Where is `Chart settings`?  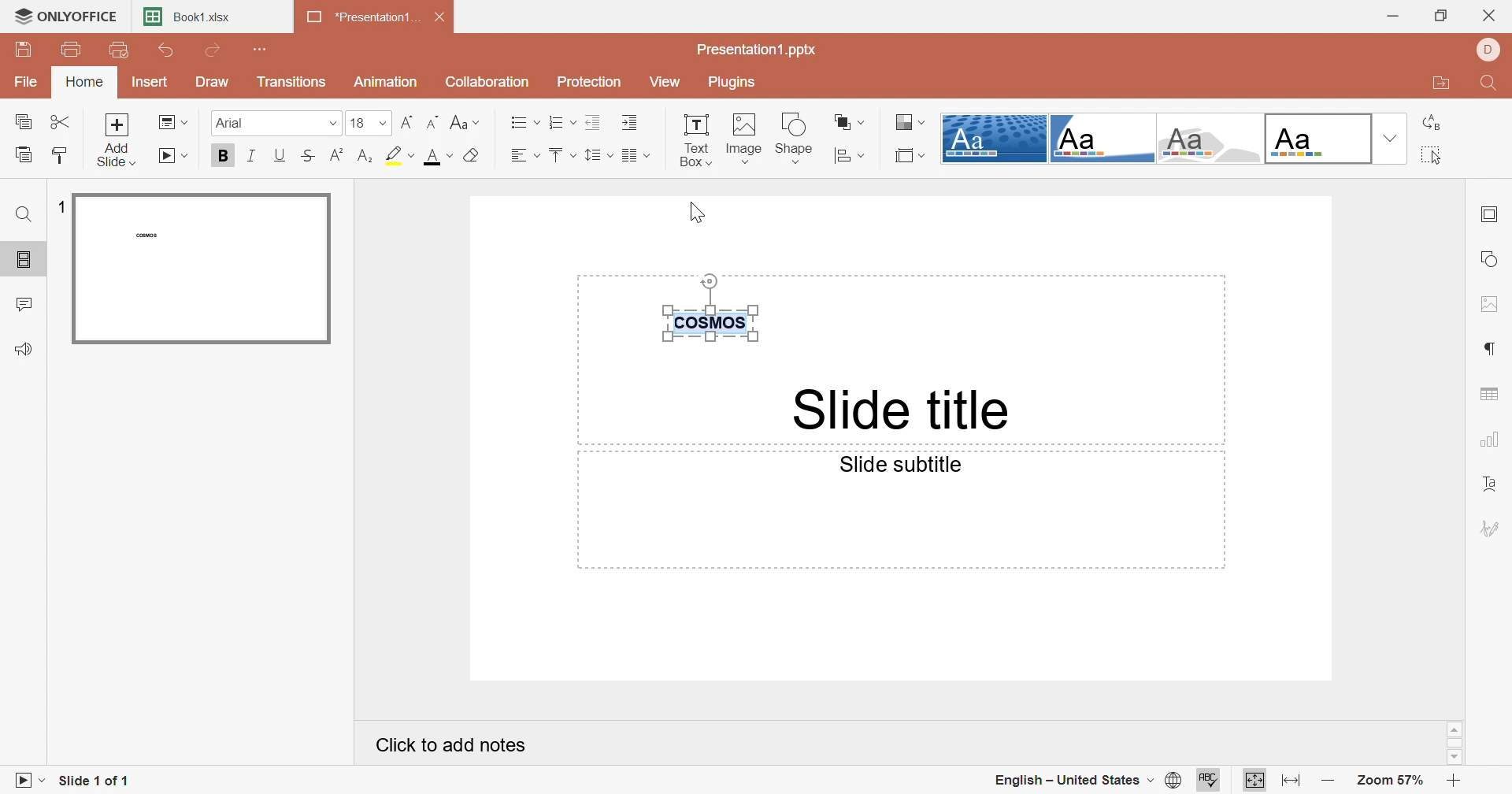 Chart settings is located at coordinates (1487, 438).